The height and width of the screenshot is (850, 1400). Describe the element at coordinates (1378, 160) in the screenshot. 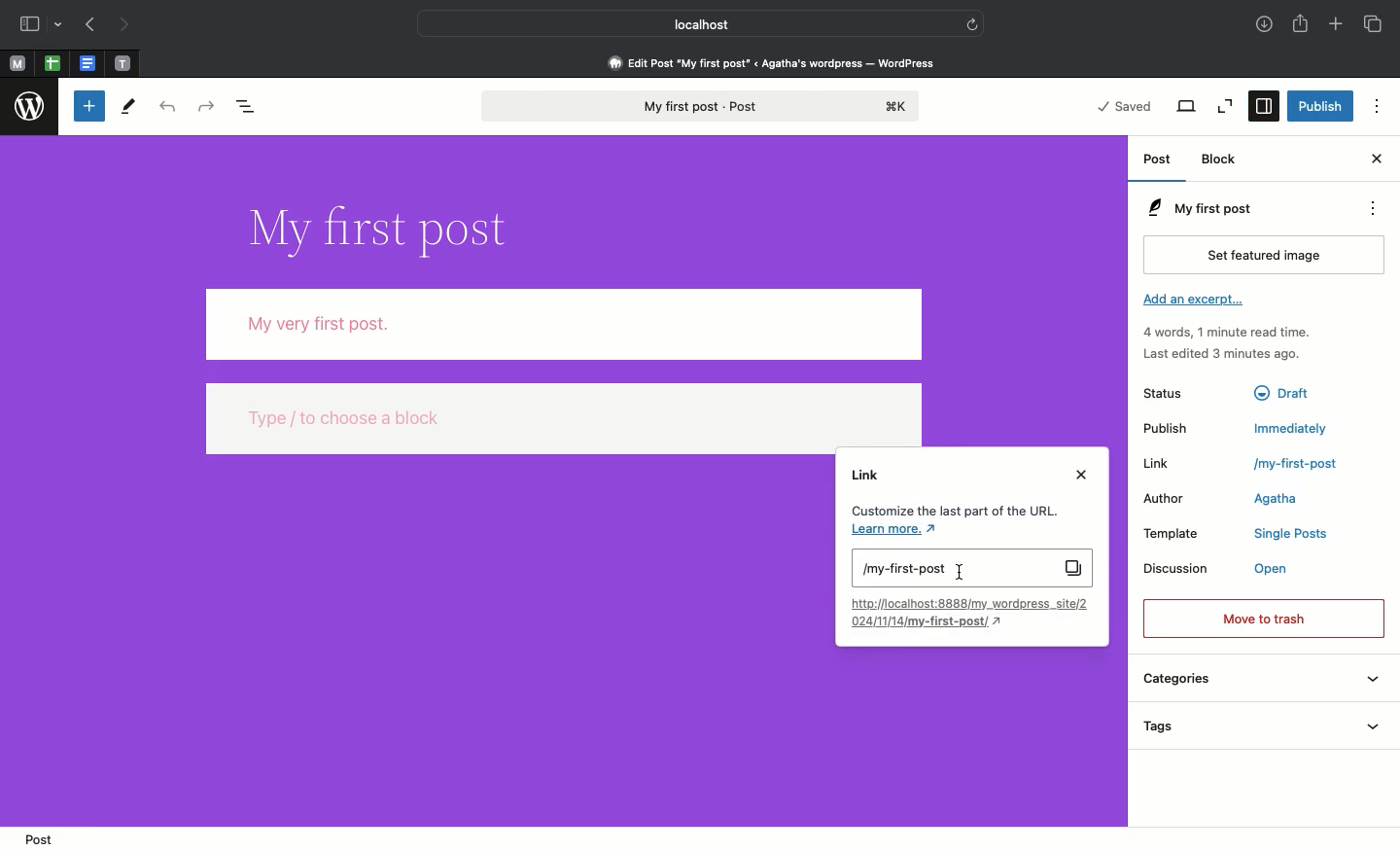

I see `Close` at that location.